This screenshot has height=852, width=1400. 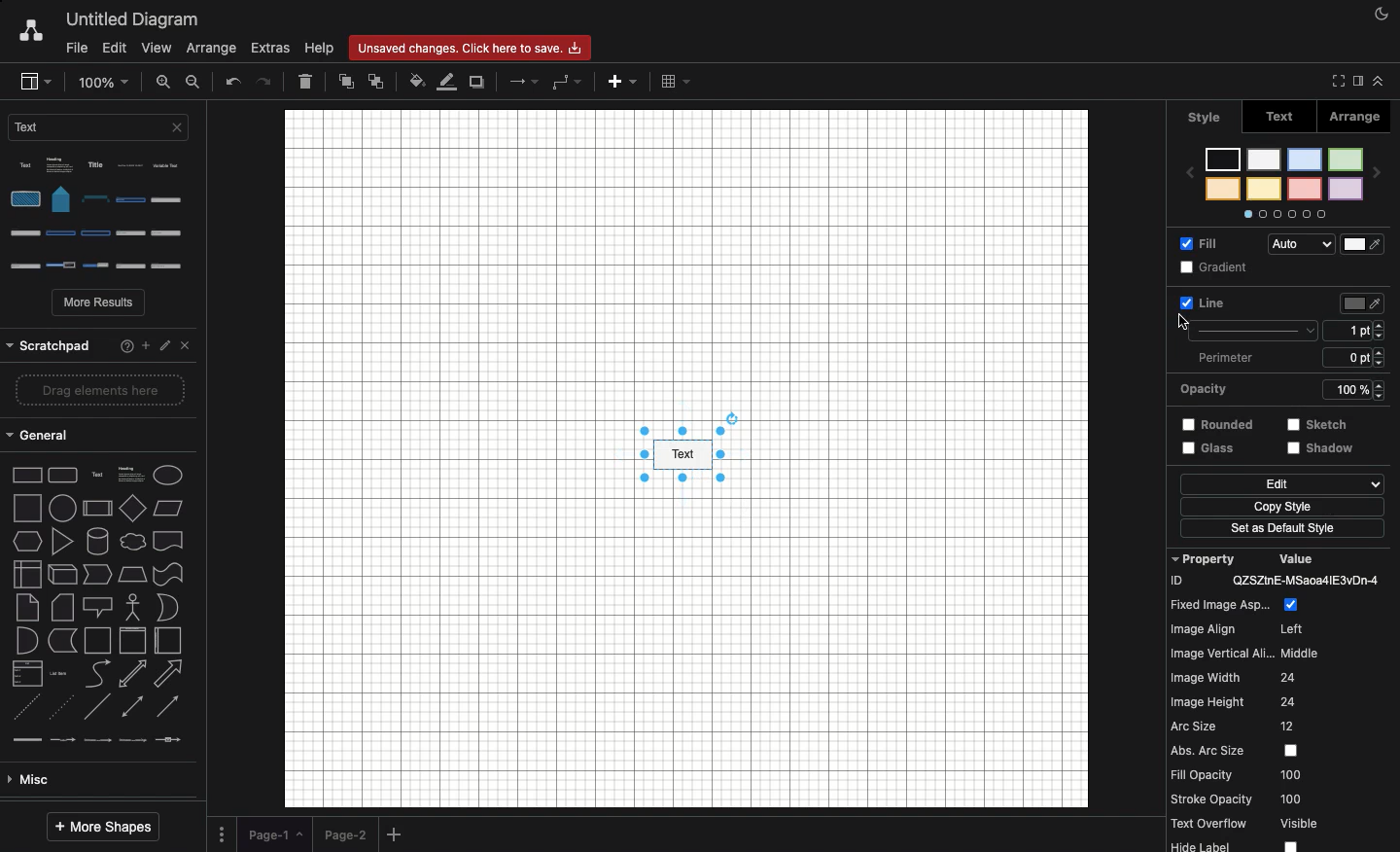 What do you see at coordinates (266, 81) in the screenshot?
I see `Redo` at bounding box center [266, 81].